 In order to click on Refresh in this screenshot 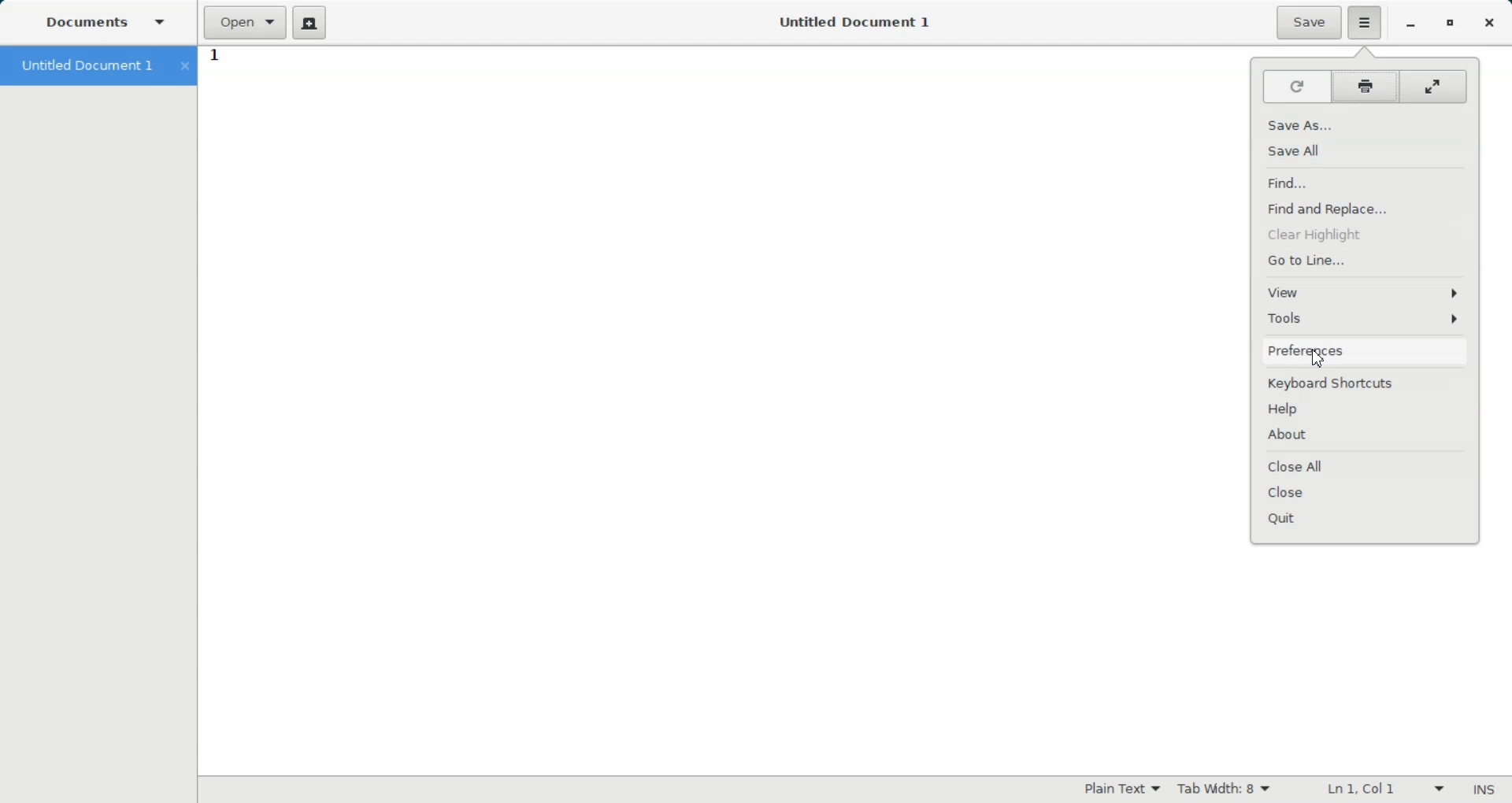, I will do `click(1296, 87)`.